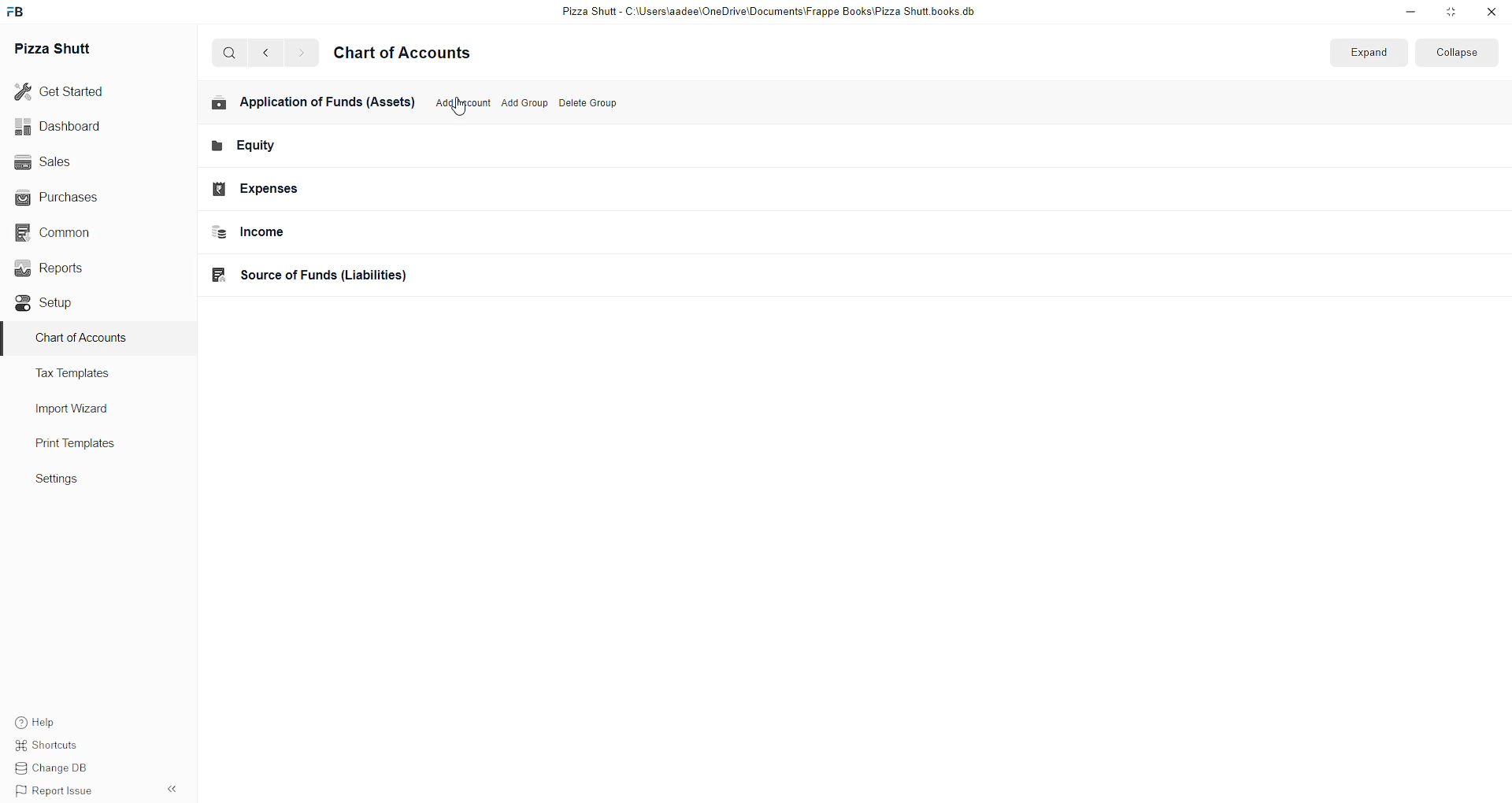 This screenshot has height=803, width=1512. I want to click on Source of funds(Liabilities), so click(324, 274).